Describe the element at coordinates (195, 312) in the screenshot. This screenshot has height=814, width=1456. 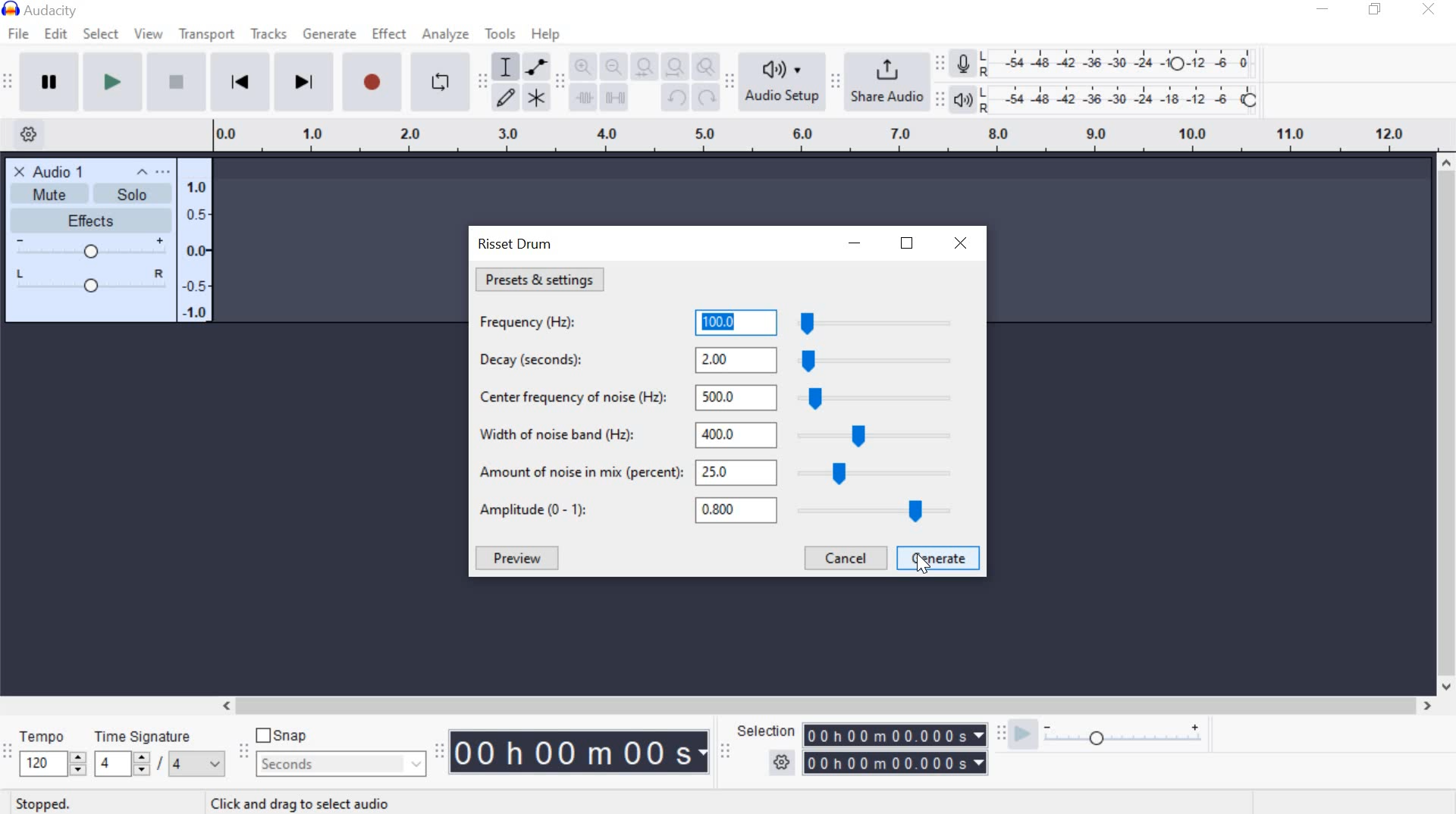
I see `-1.0  Looping` at that location.